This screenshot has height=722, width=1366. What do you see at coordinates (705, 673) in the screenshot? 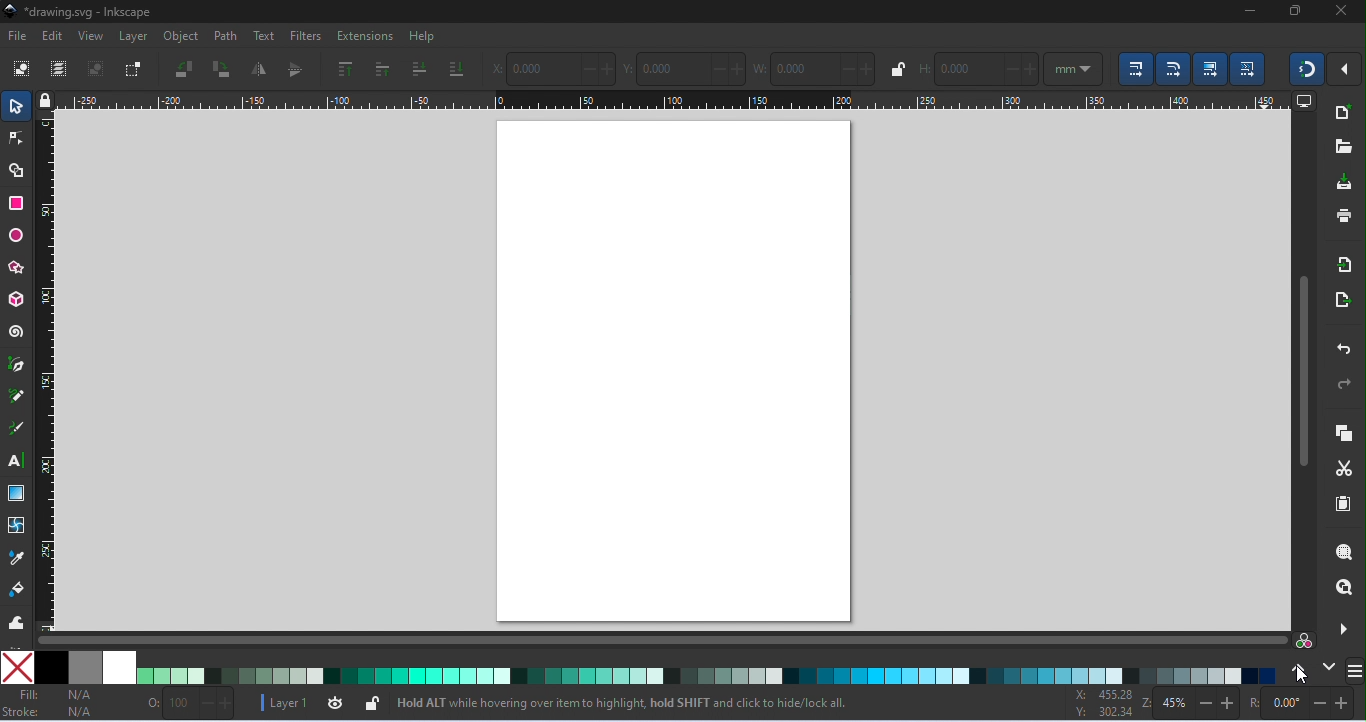
I see `current shade of color palette` at bounding box center [705, 673].